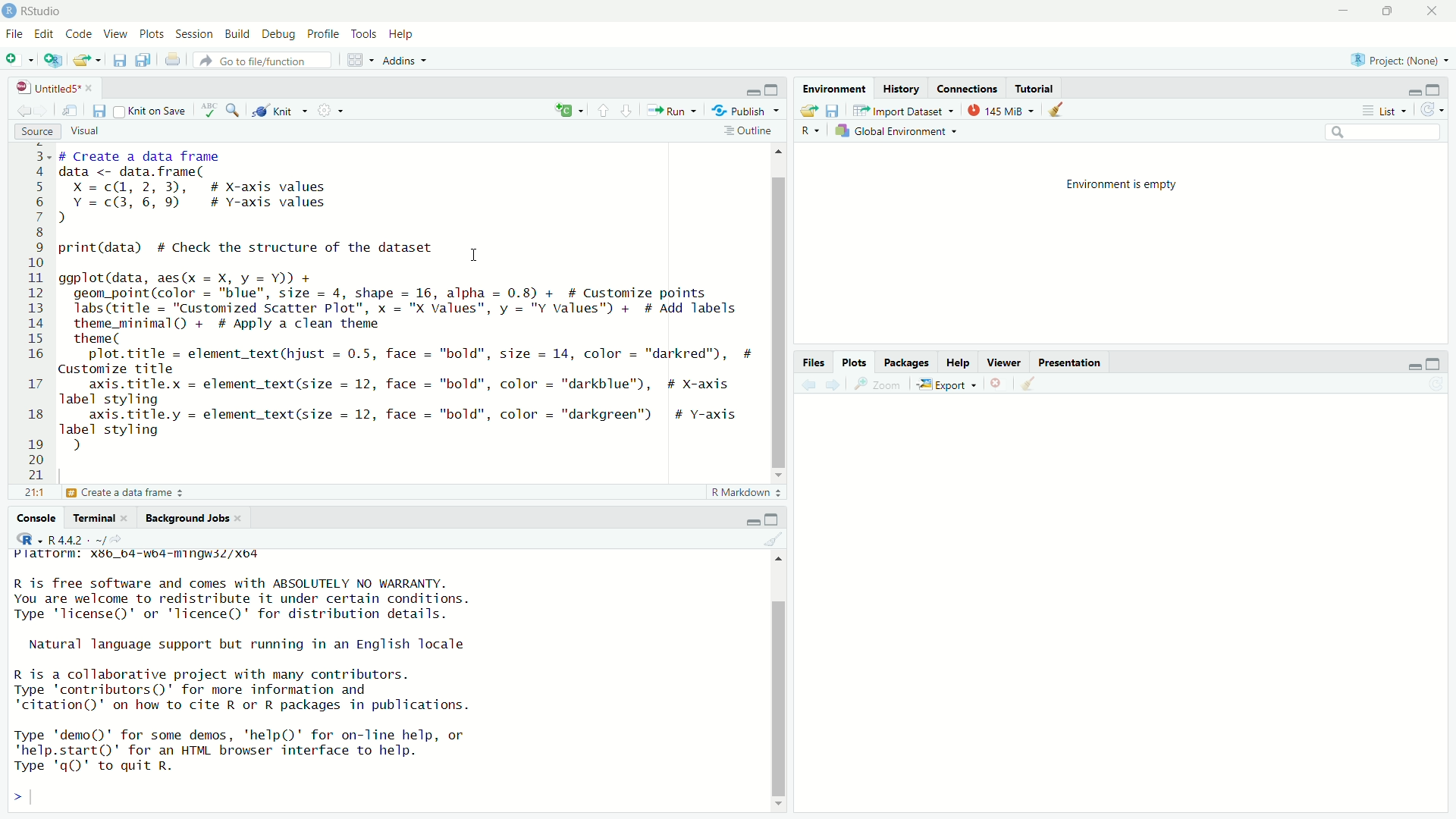  What do you see at coordinates (1345, 11) in the screenshot?
I see `minimize` at bounding box center [1345, 11].